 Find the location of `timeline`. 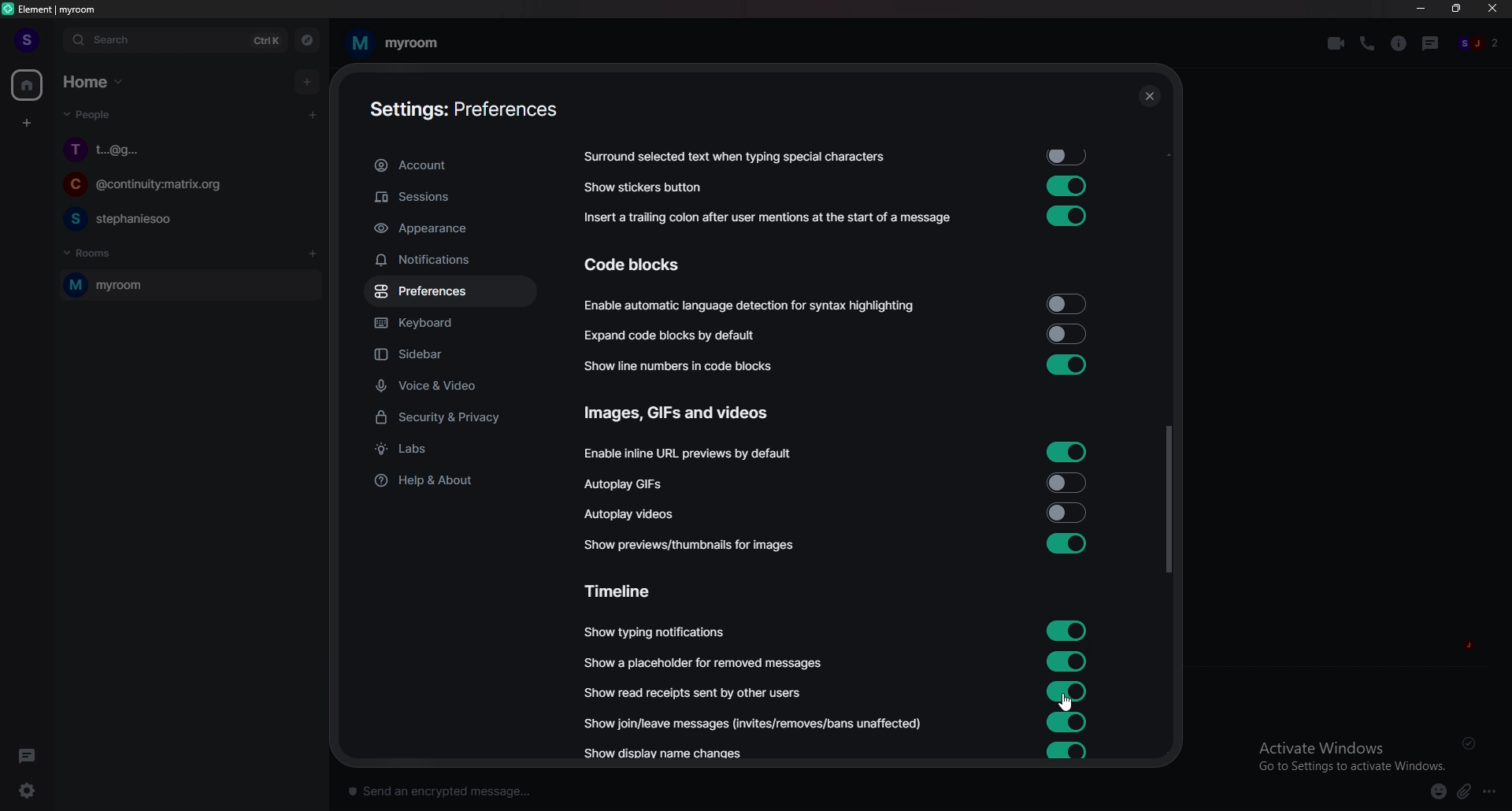

timeline is located at coordinates (626, 590).